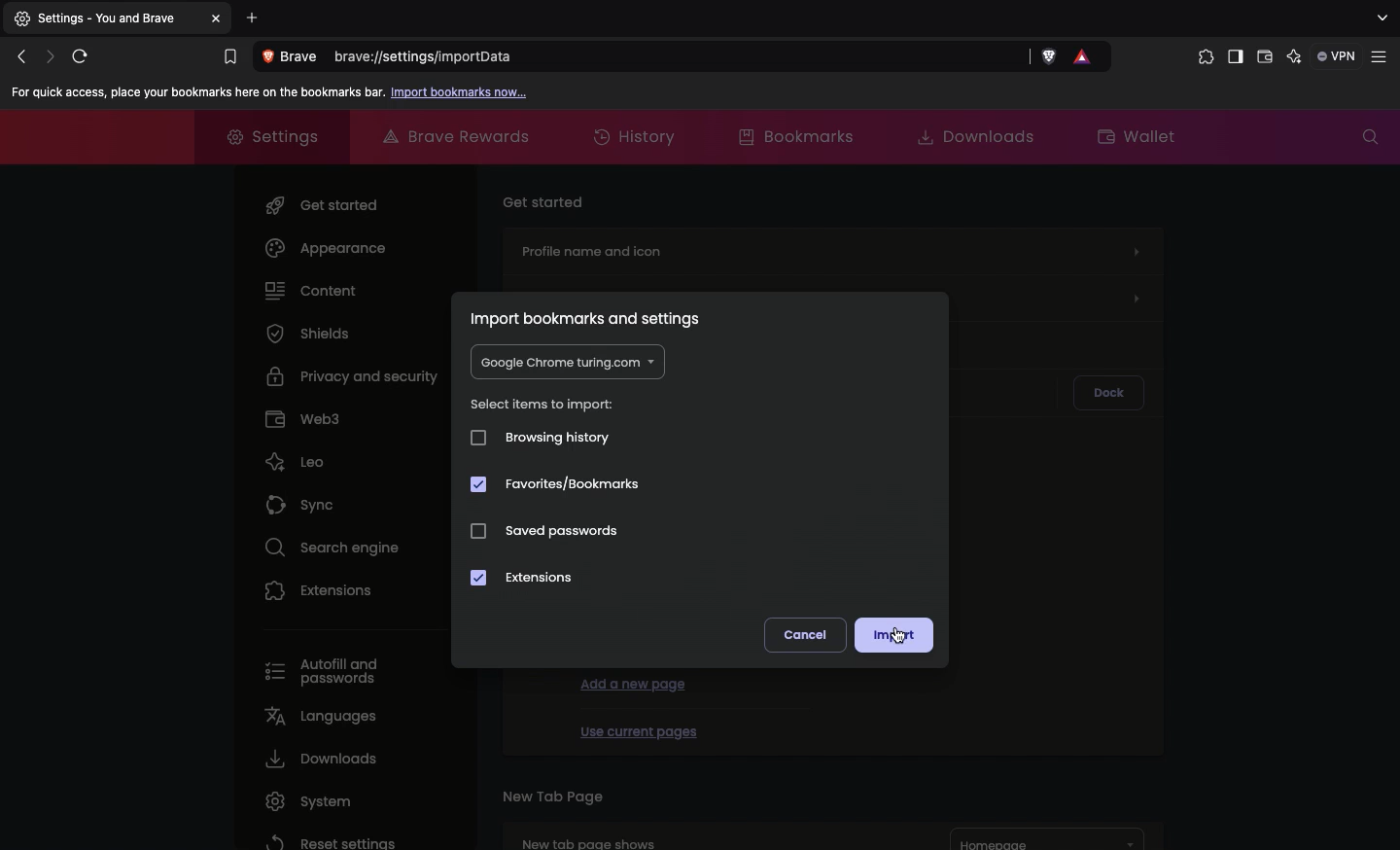 This screenshot has height=850, width=1400. What do you see at coordinates (326, 545) in the screenshot?
I see `Search engine` at bounding box center [326, 545].